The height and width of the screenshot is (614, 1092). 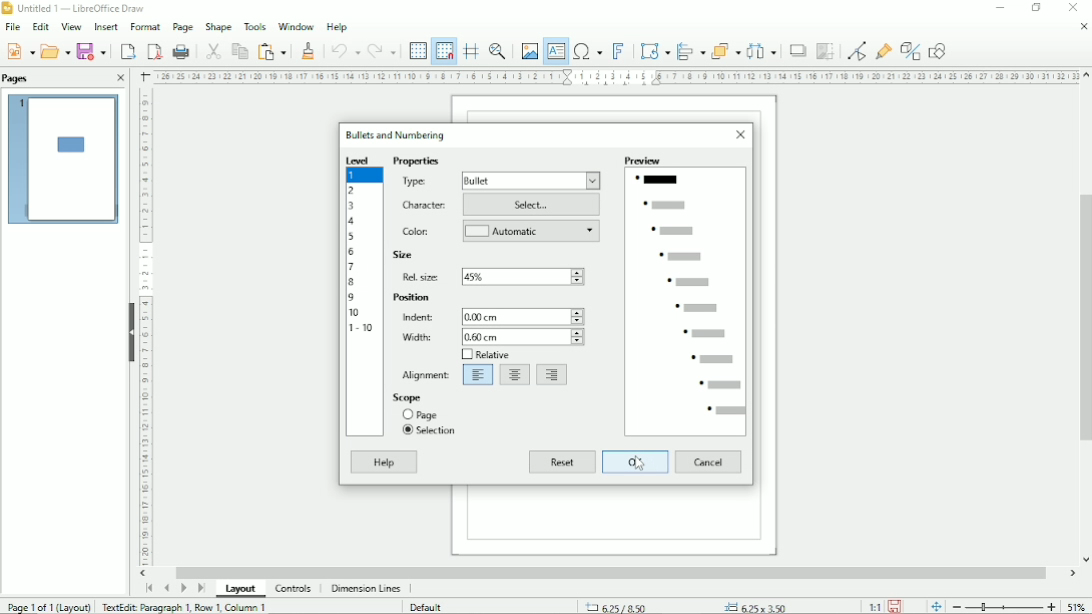 What do you see at coordinates (763, 51) in the screenshot?
I see `Distribute` at bounding box center [763, 51].